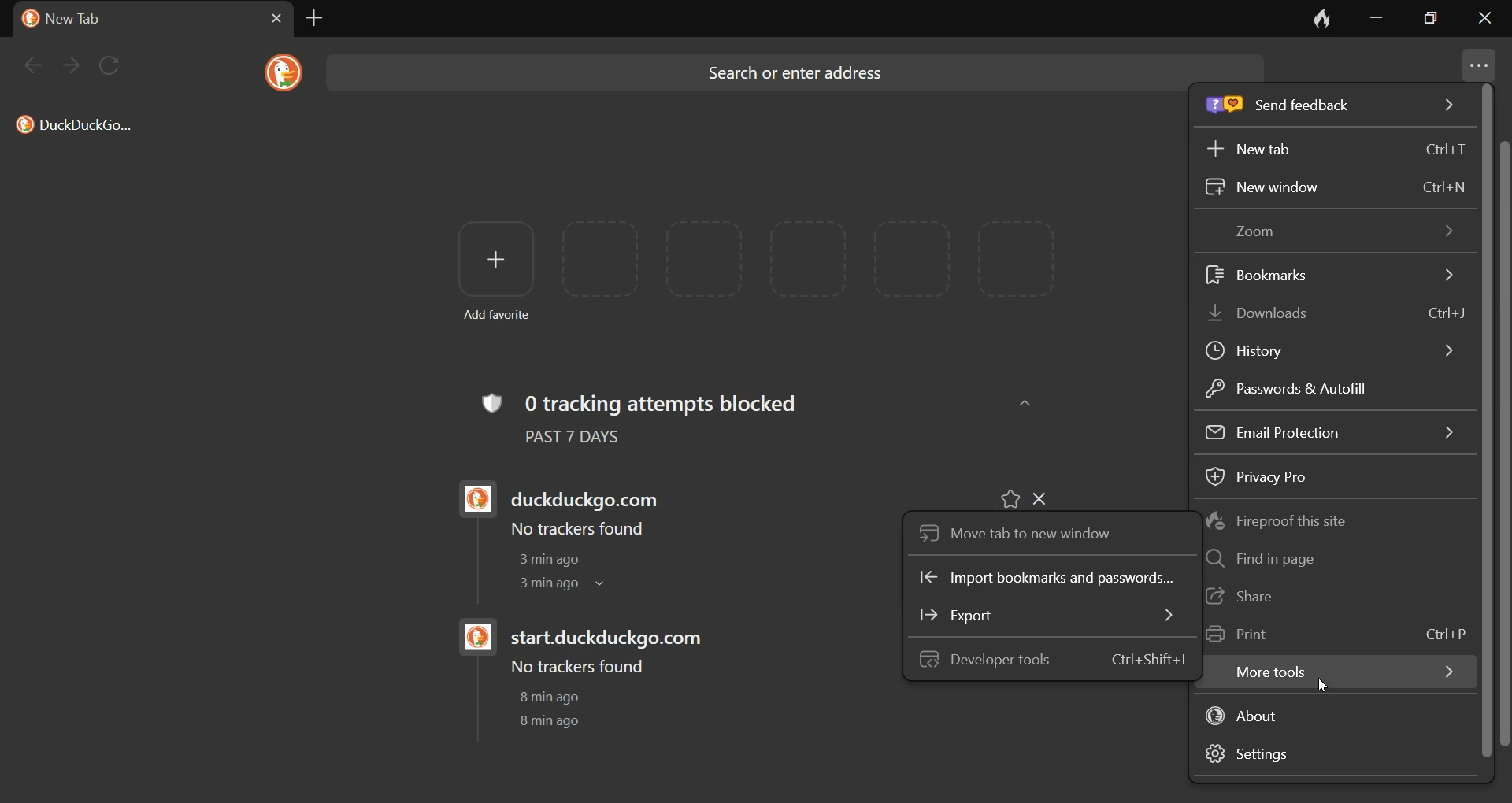  I want to click on next, so click(72, 66).